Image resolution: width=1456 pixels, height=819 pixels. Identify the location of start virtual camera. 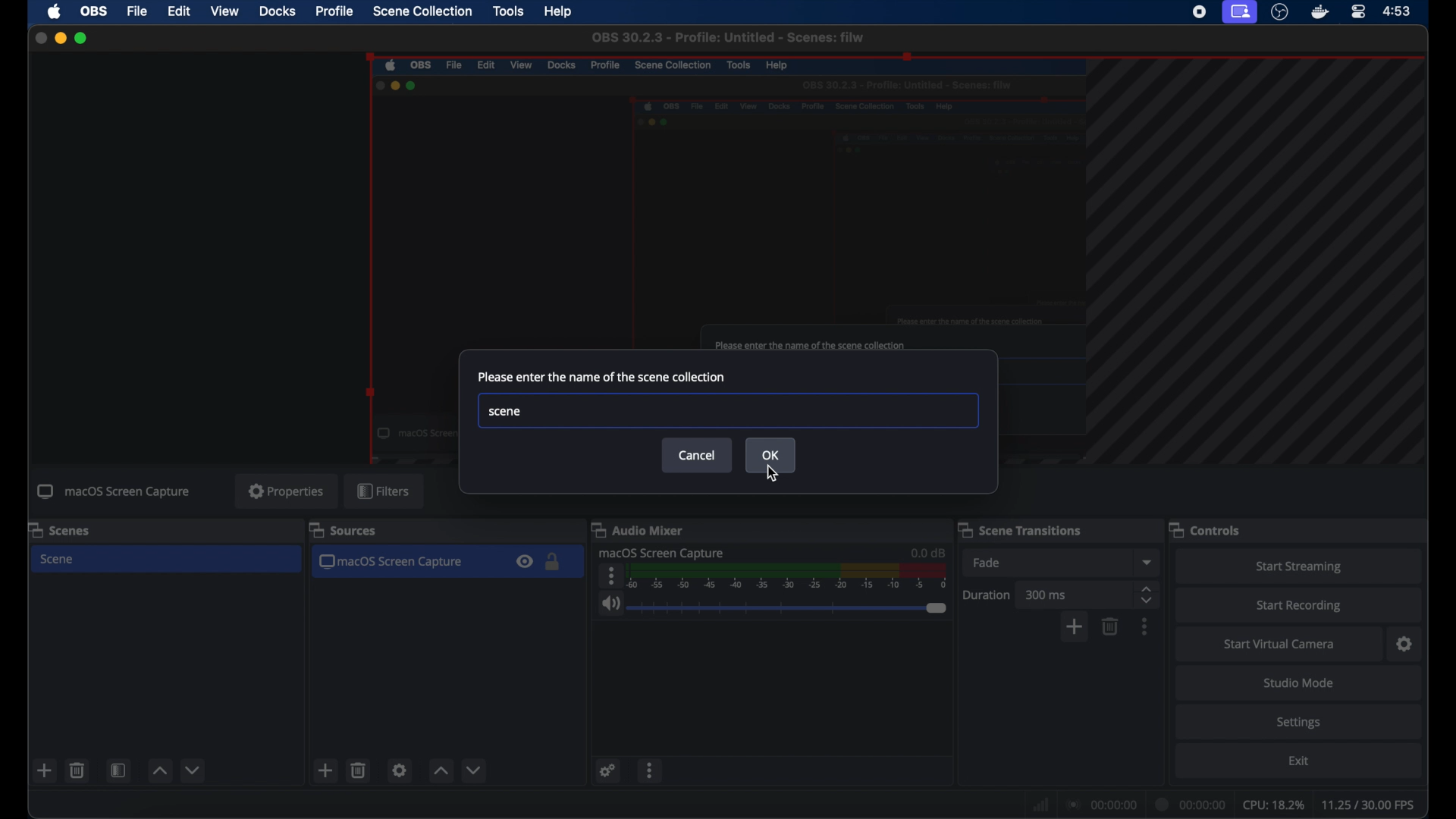
(1281, 642).